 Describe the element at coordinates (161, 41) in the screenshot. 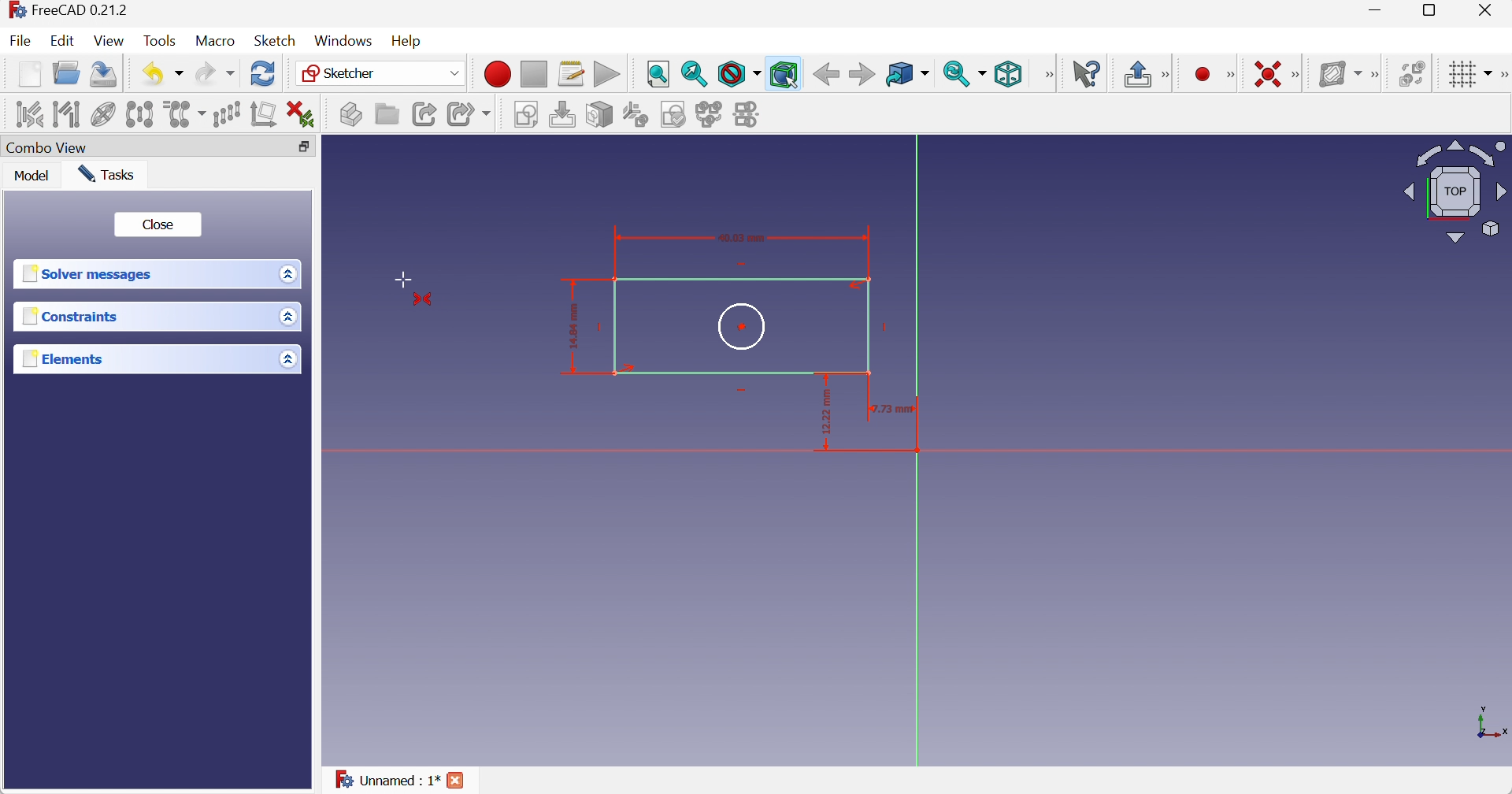

I see `Tools` at that location.